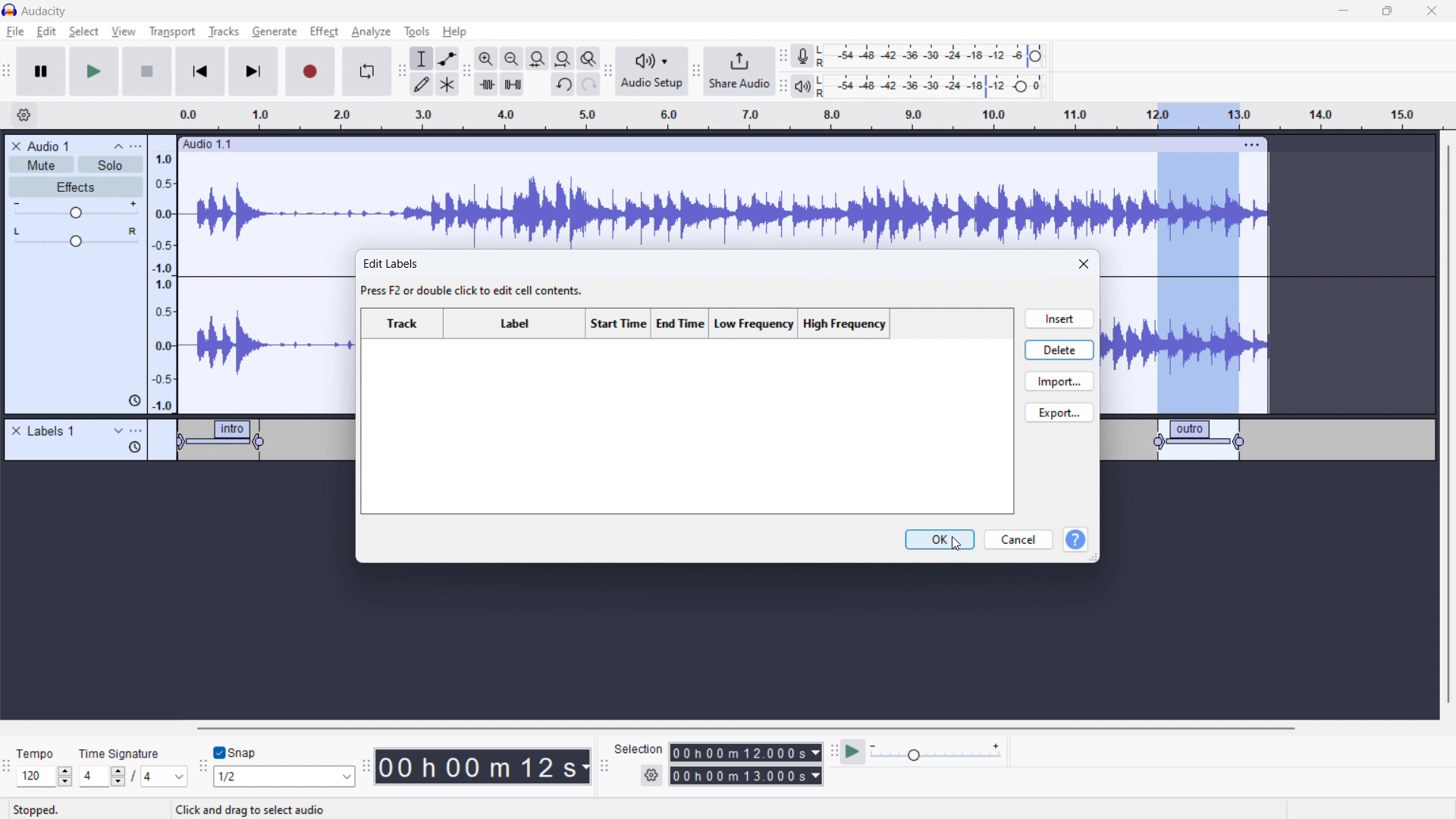 Image resolution: width=1456 pixels, height=819 pixels. What do you see at coordinates (845, 324) in the screenshot?
I see `High Frequency` at bounding box center [845, 324].